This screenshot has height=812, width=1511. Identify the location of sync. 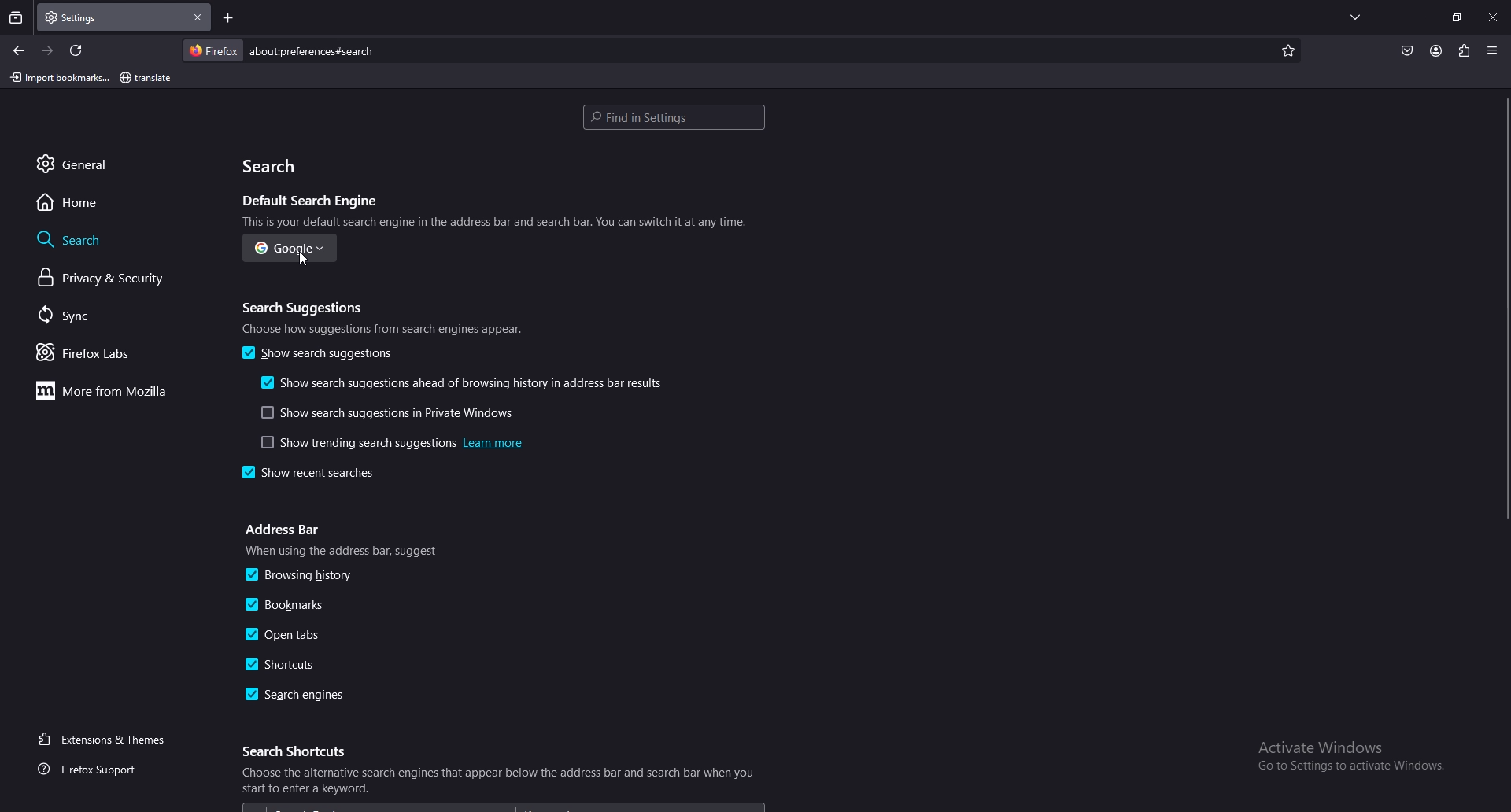
(109, 317).